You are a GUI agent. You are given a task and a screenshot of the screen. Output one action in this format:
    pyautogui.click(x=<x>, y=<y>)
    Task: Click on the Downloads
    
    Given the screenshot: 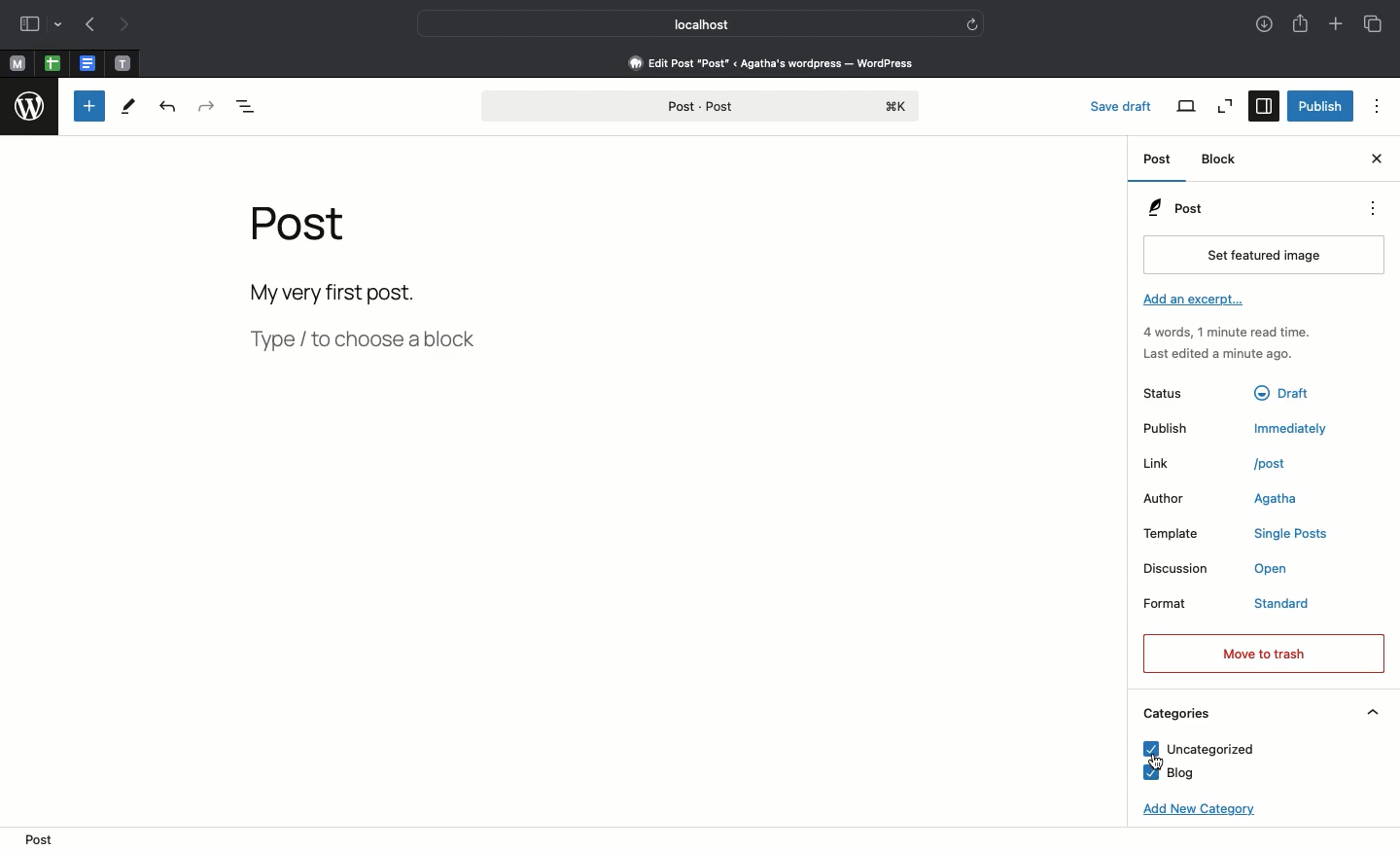 What is the action you would take?
    pyautogui.click(x=1261, y=25)
    